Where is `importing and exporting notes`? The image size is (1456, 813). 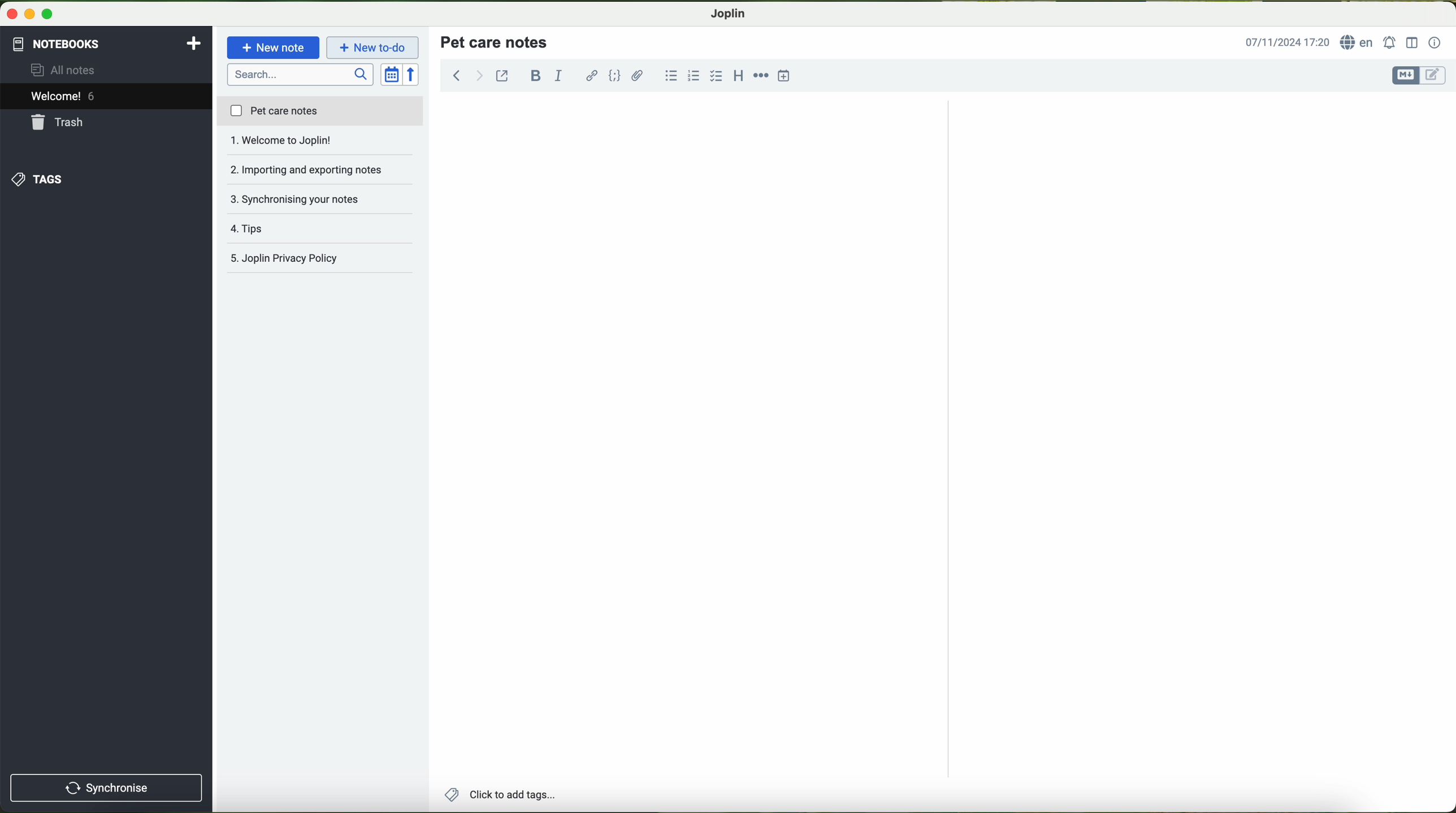
importing and exporting notes is located at coordinates (320, 144).